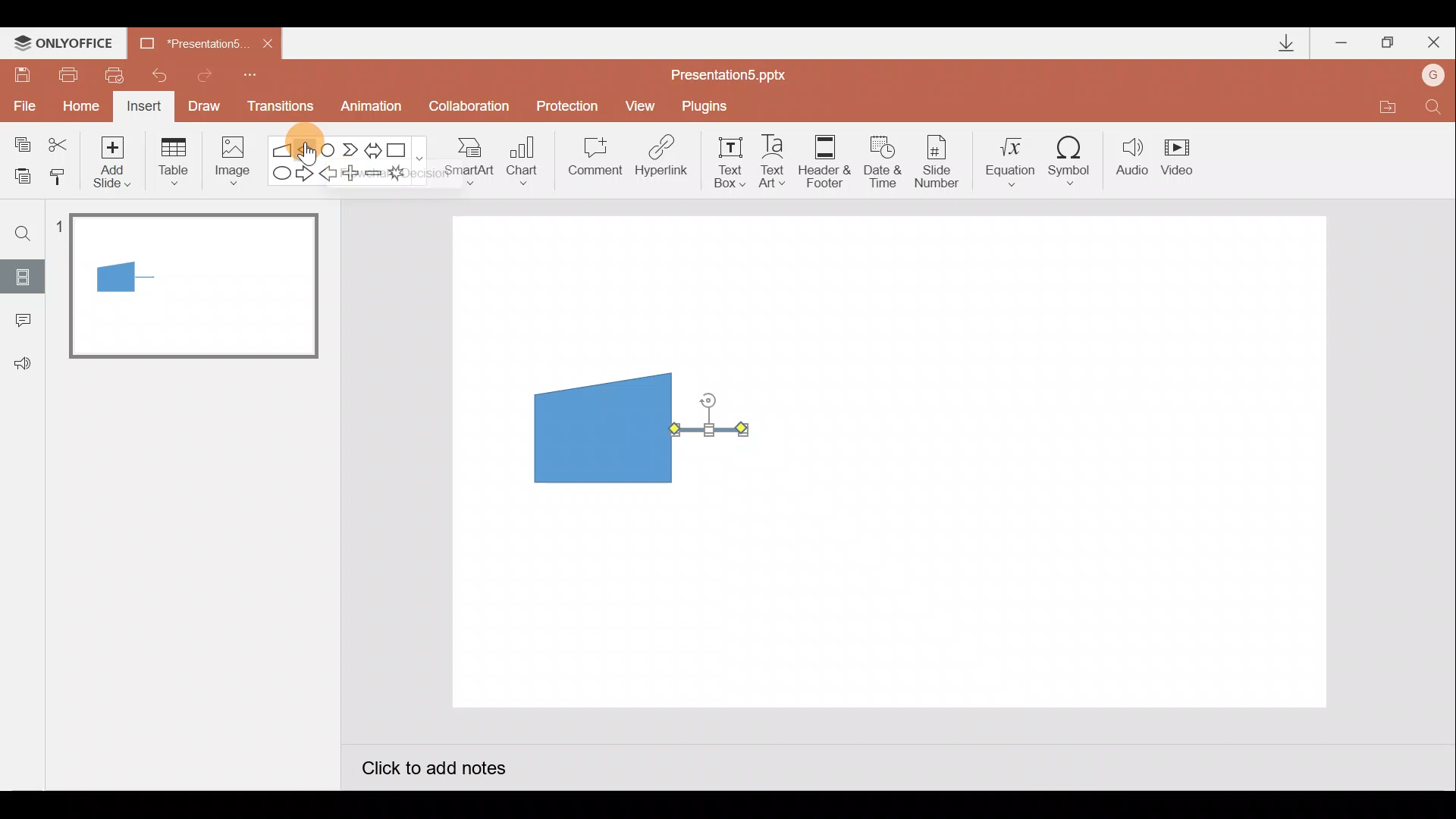  I want to click on Feedback & support, so click(24, 362).